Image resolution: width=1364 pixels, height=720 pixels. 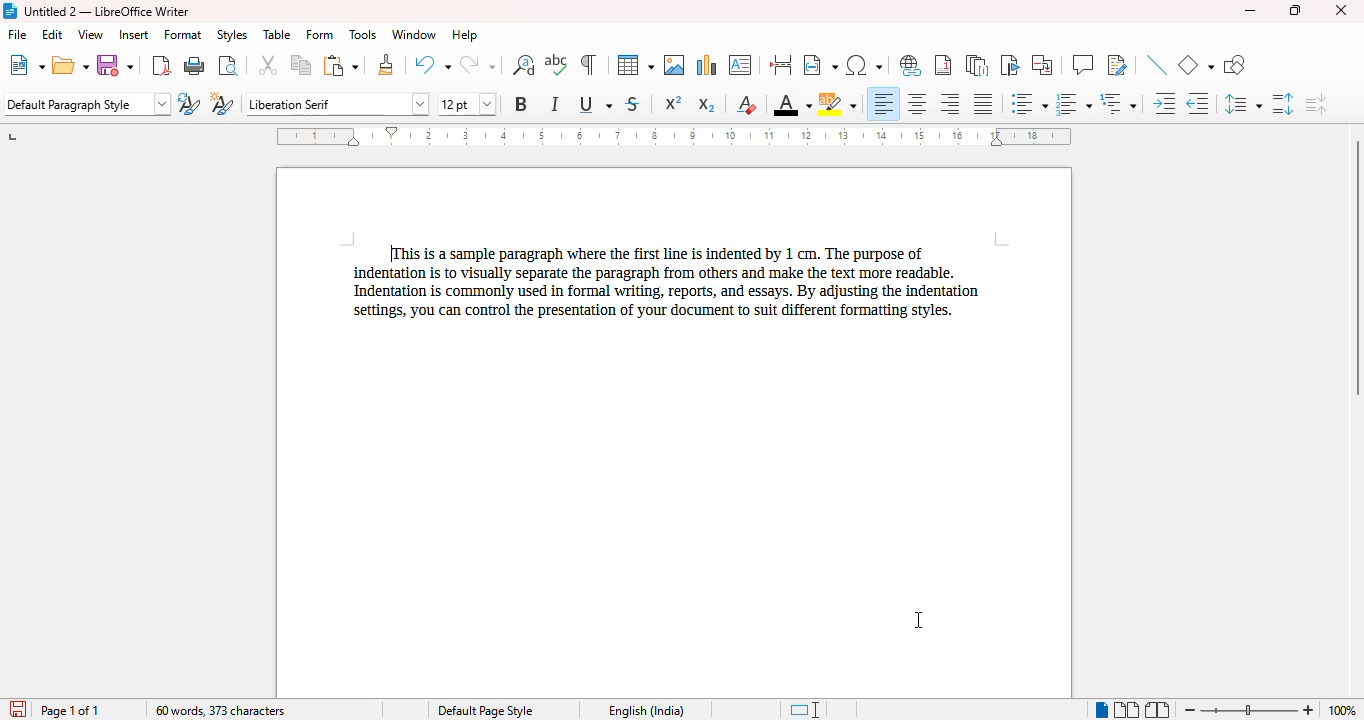 What do you see at coordinates (836, 104) in the screenshot?
I see `character highlighting color` at bounding box center [836, 104].